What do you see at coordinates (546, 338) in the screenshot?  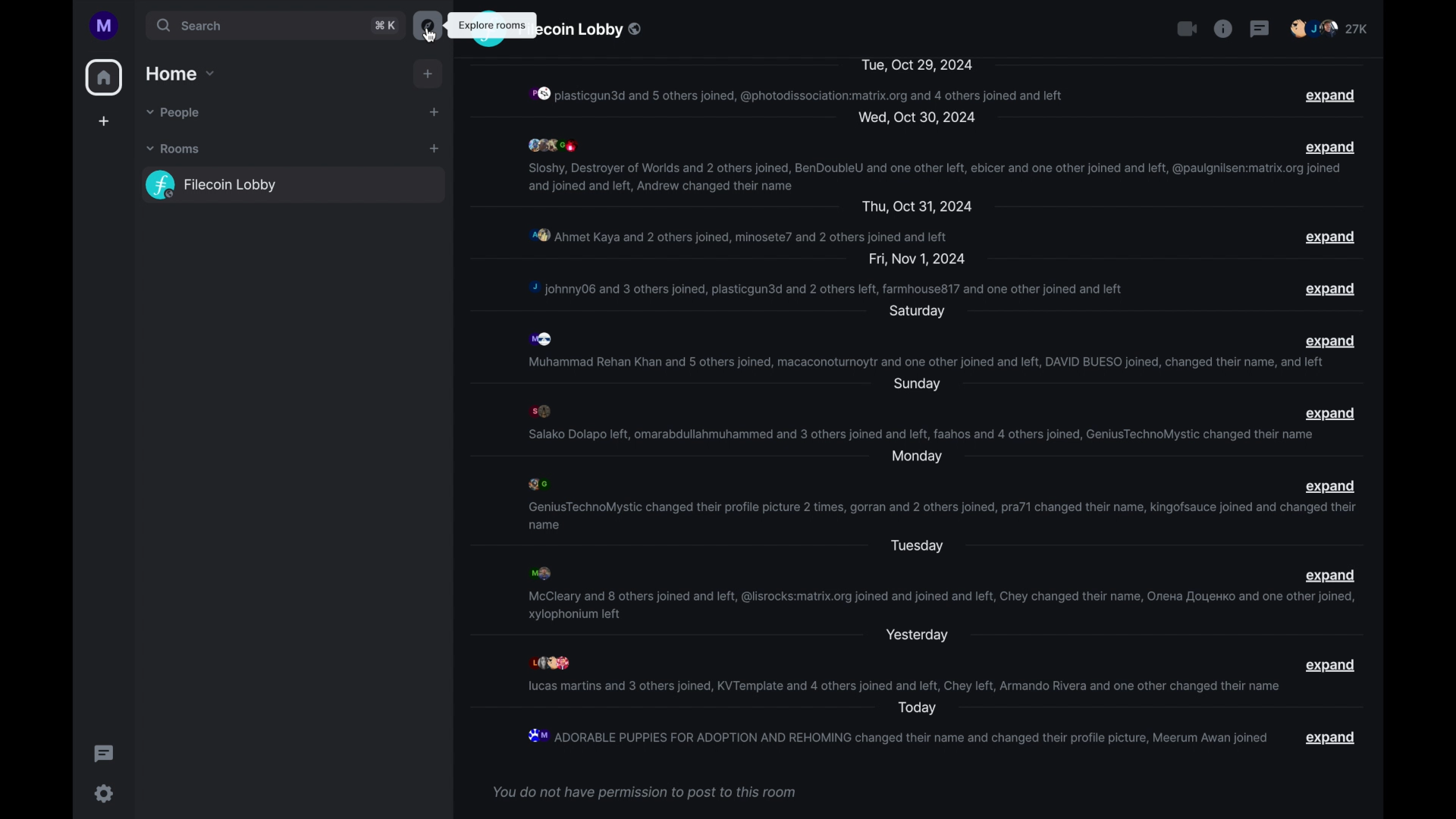 I see `participants` at bounding box center [546, 338].